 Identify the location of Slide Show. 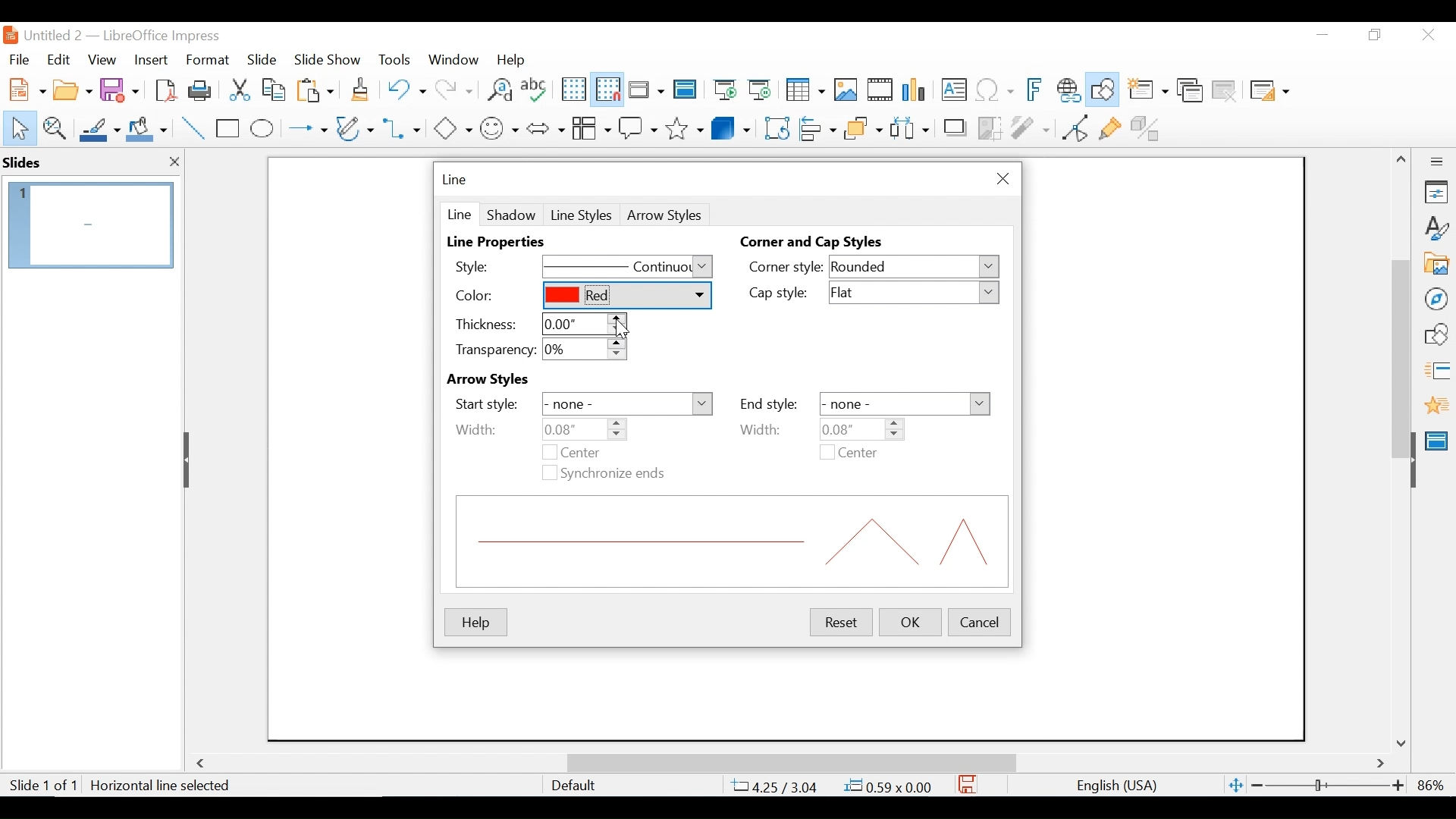
(328, 58).